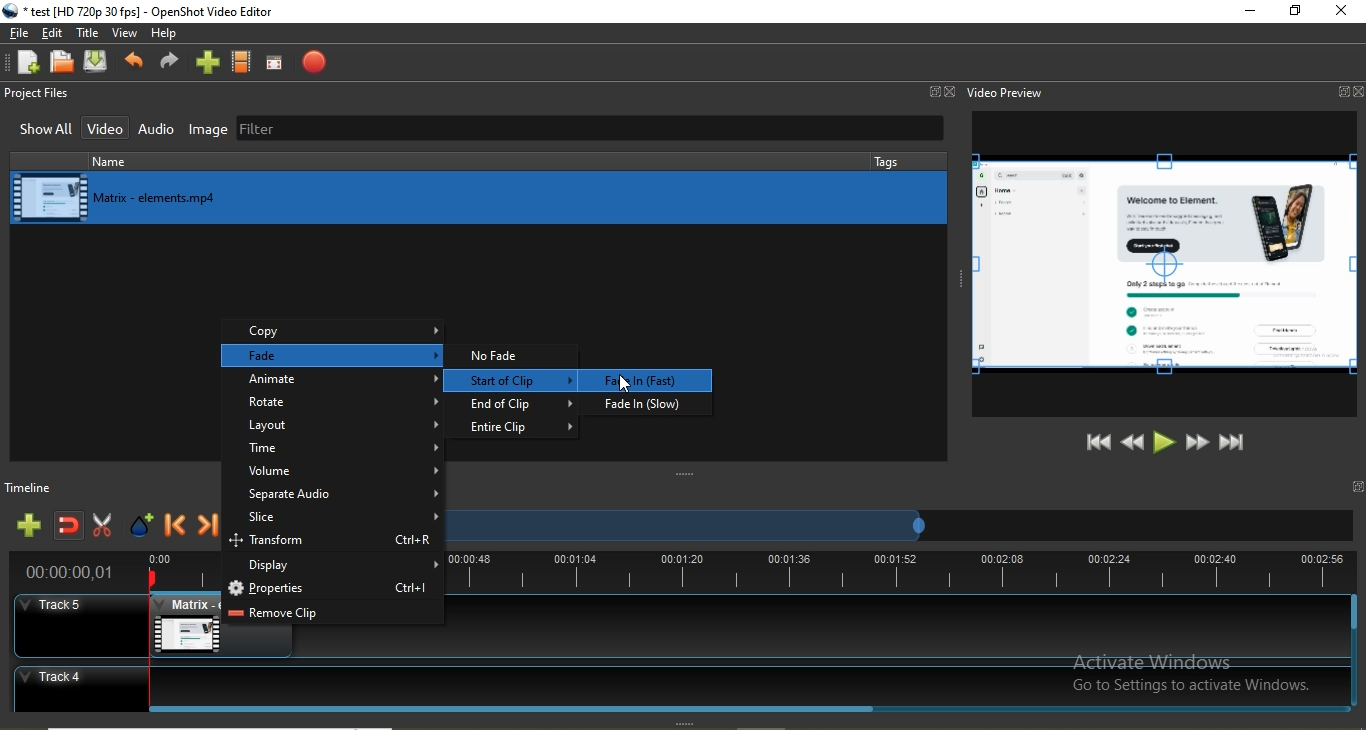 The image size is (1366, 730). I want to click on Redo, so click(169, 65).